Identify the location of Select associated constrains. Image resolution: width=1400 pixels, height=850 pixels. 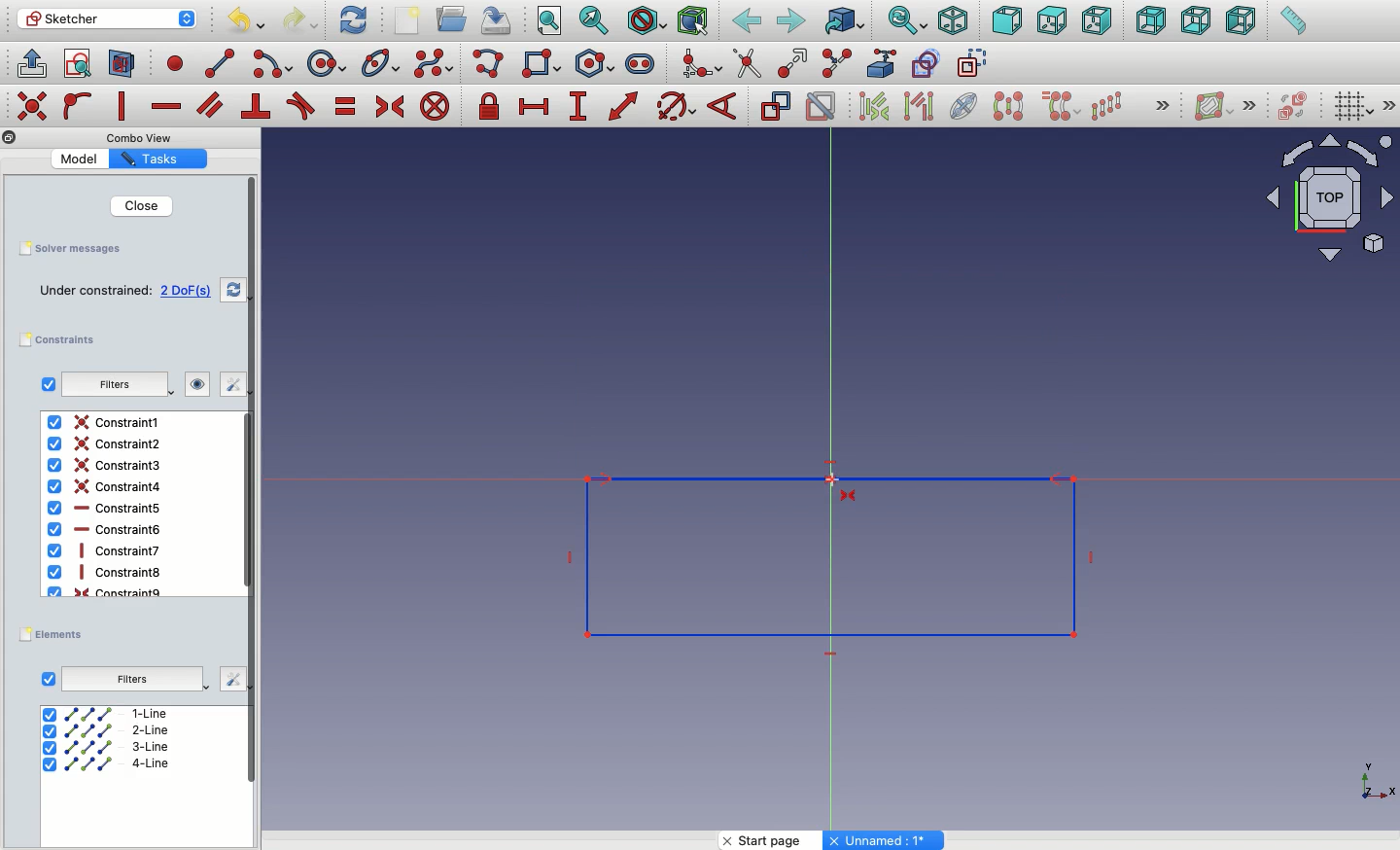
(870, 106).